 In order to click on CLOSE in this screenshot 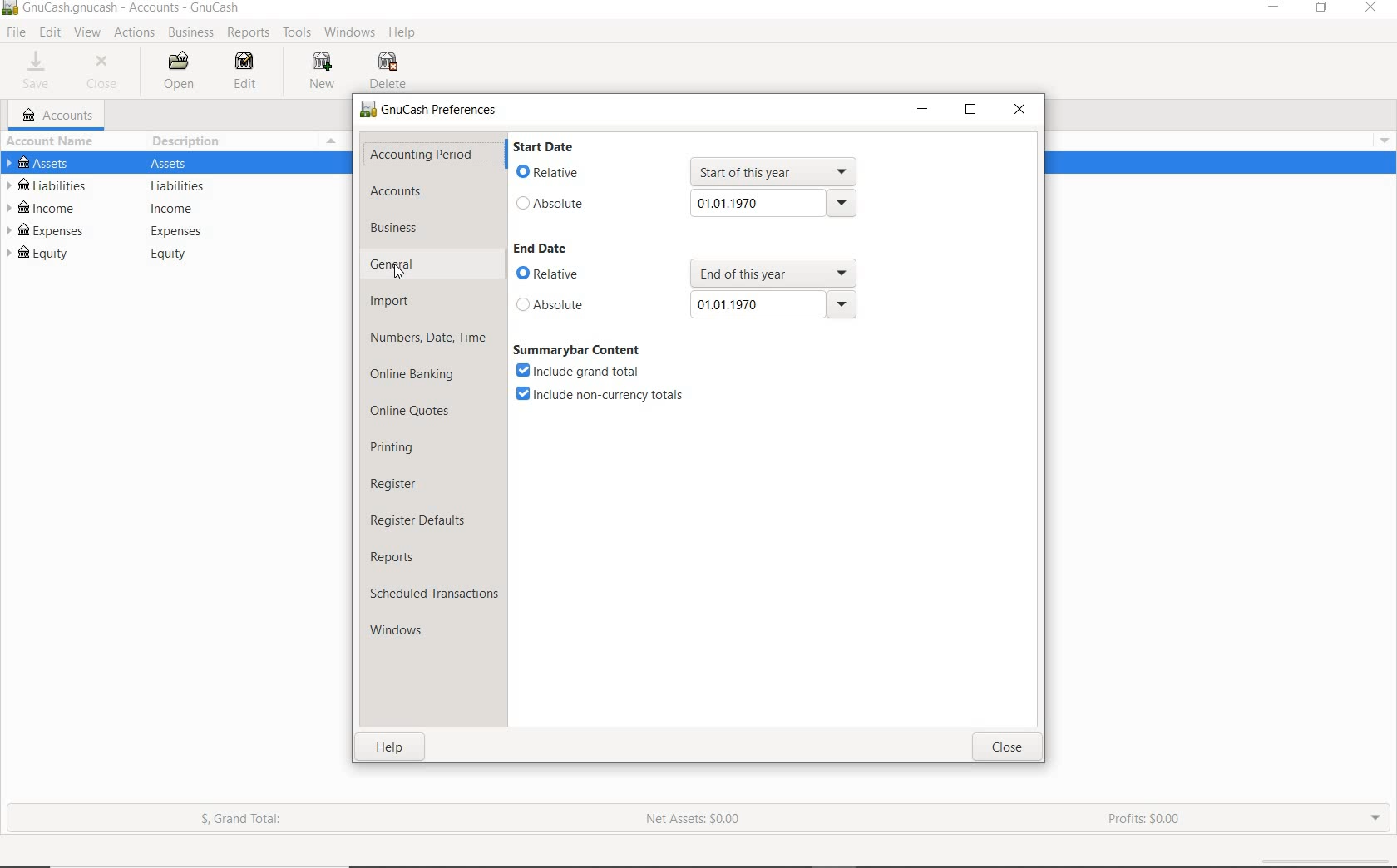, I will do `click(1019, 111)`.